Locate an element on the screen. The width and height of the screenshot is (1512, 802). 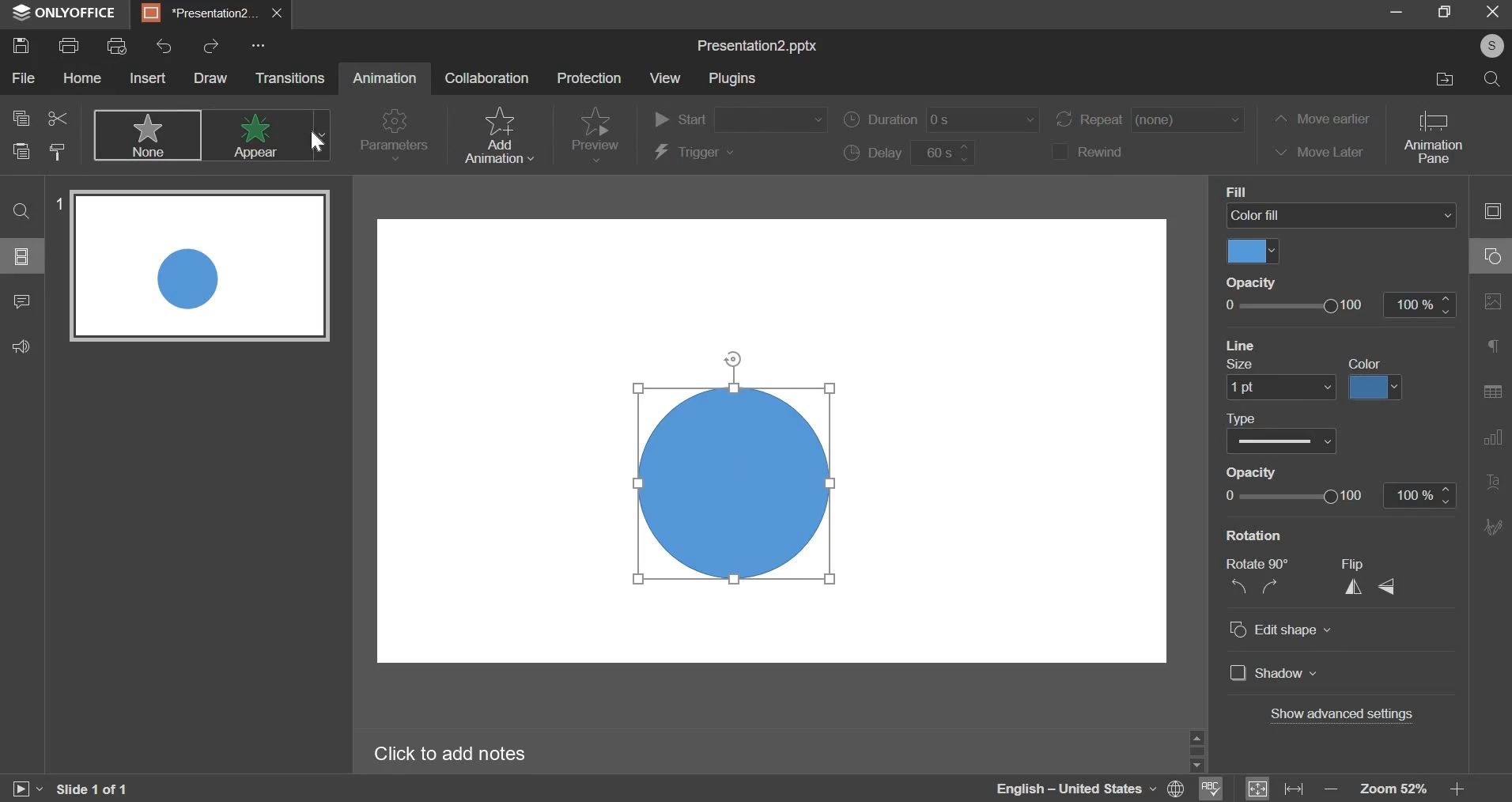
Transitions is located at coordinates (295, 78).